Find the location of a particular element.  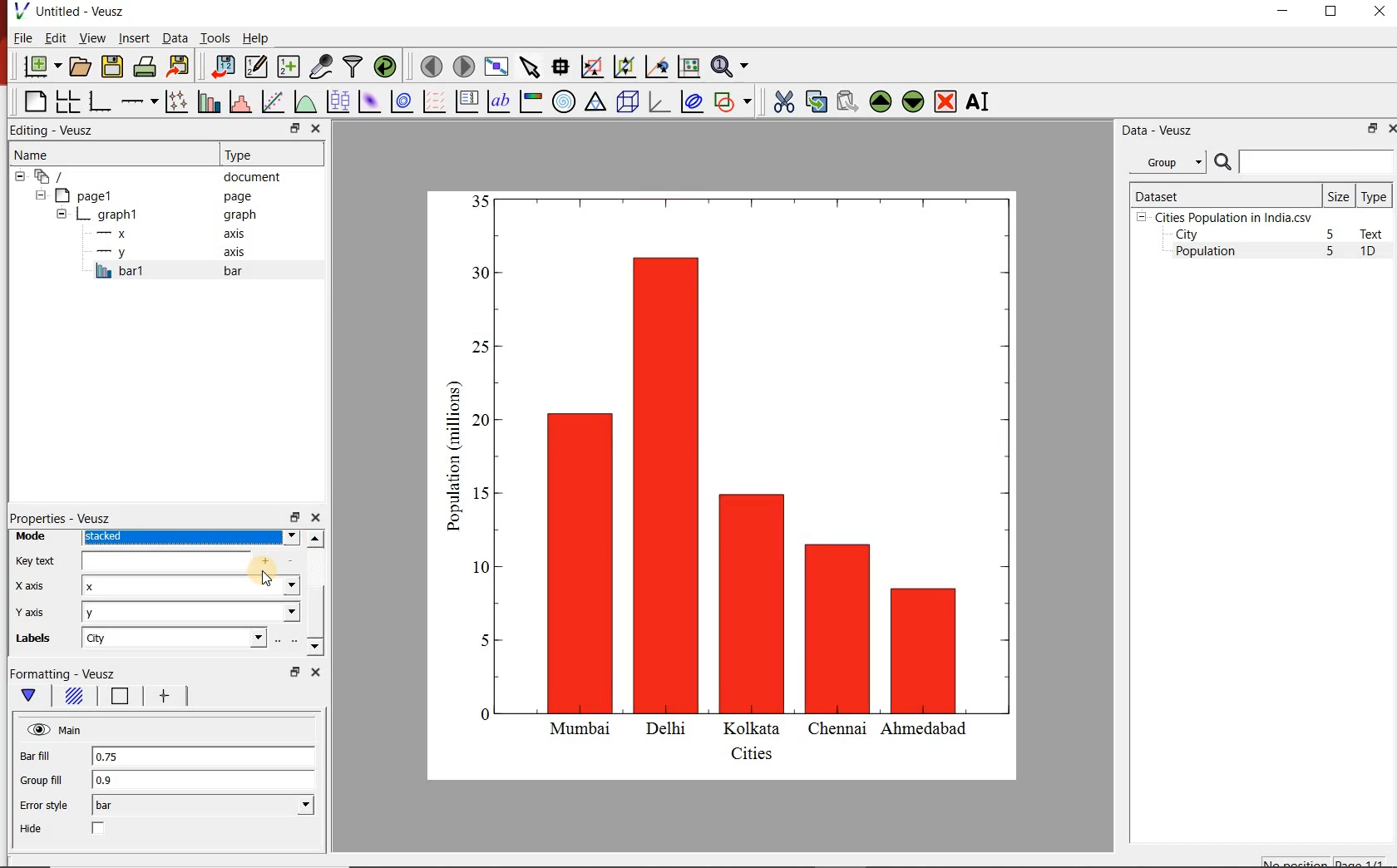

x axis is located at coordinates (173, 234).